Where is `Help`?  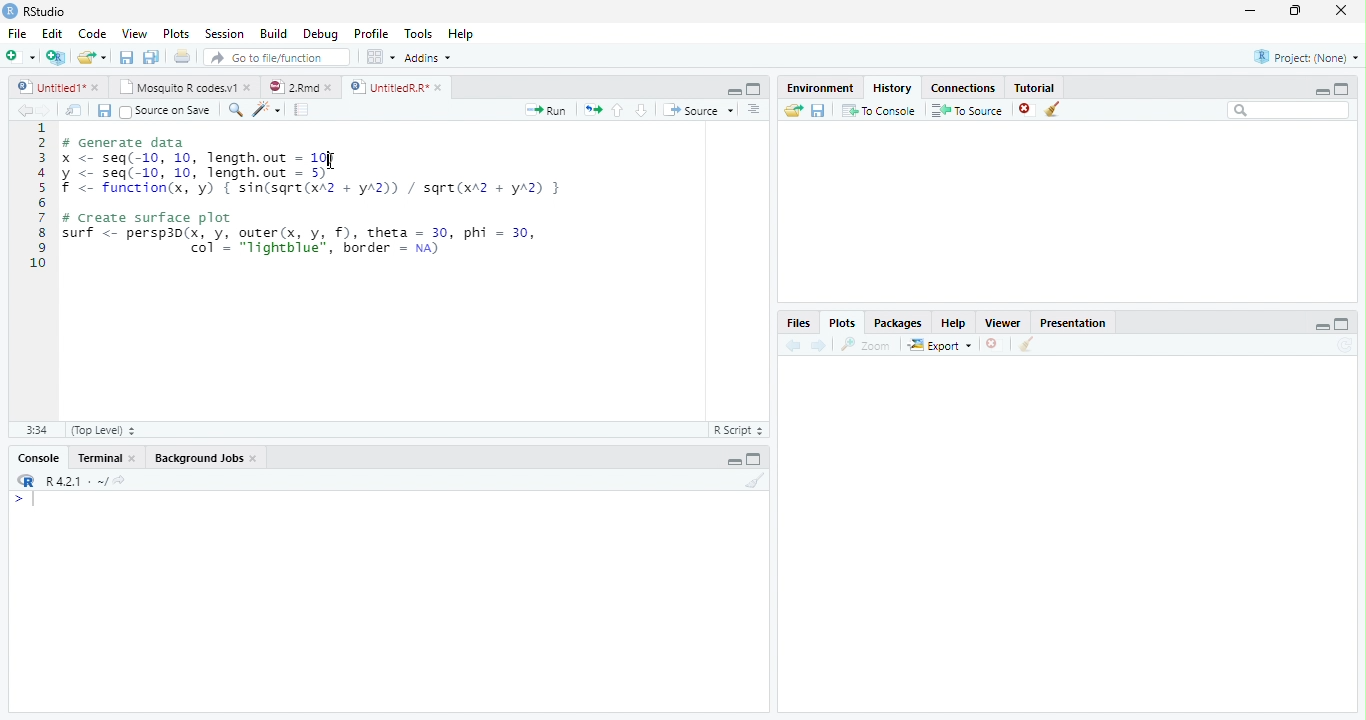 Help is located at coordinates (954, 322).